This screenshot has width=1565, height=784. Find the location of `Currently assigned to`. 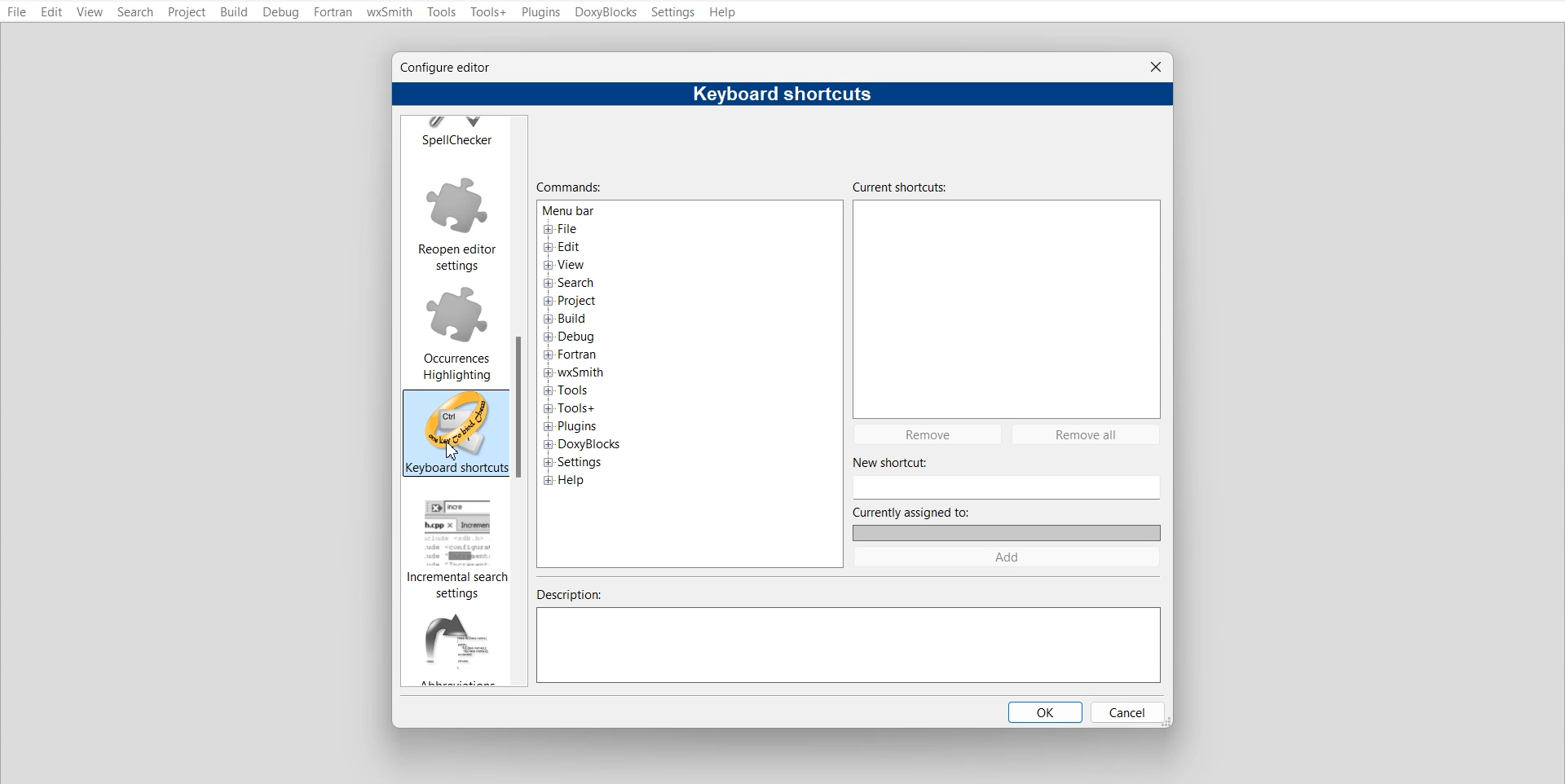

Currently assigned to is located at coordinates (1006, 523).